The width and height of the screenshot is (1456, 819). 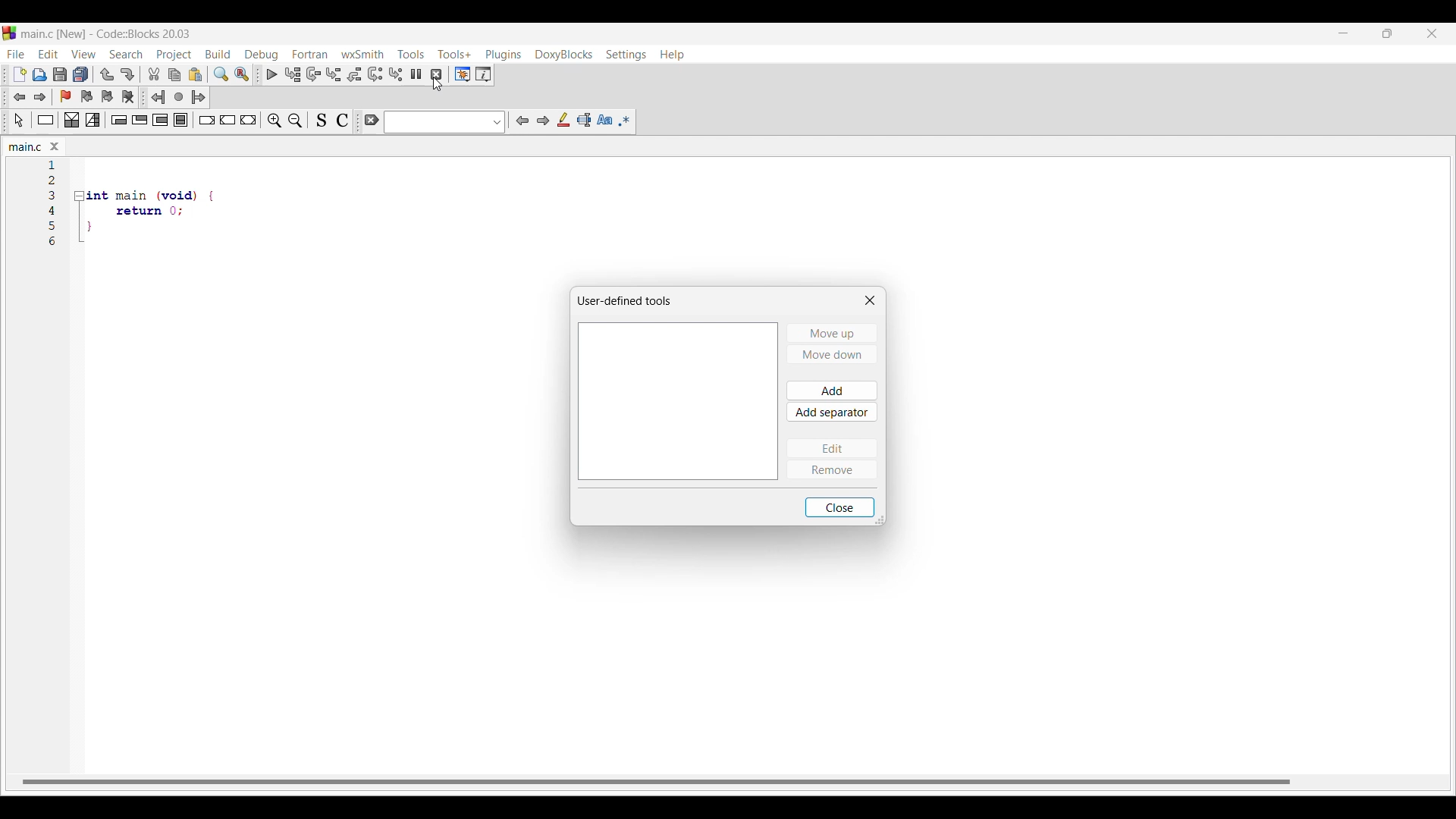 What do you see at coordinates (293, 75) in the screenshot?
I see `Run to cursor` at bounding box center [293, 75].